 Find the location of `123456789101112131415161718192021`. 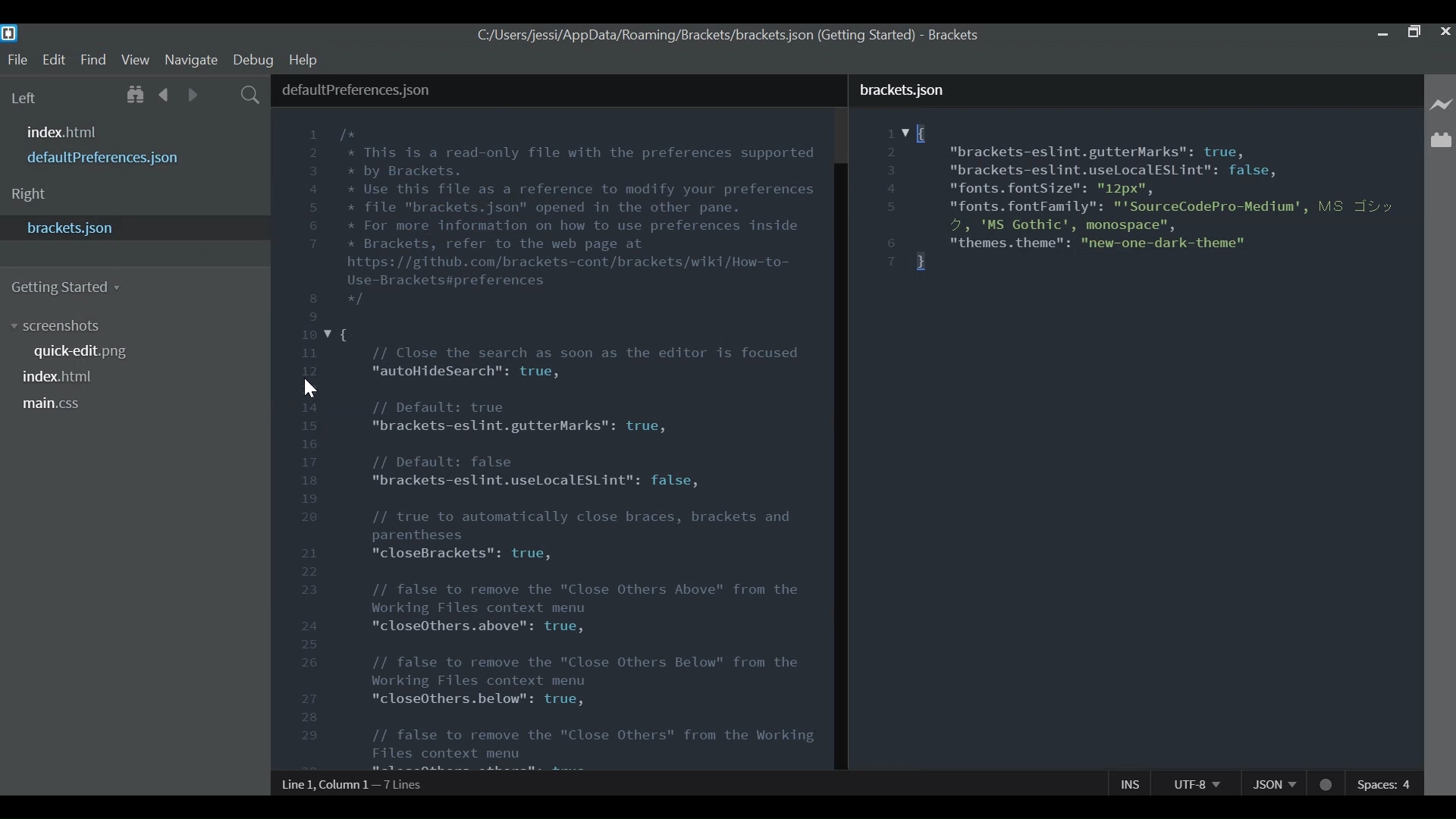

123456789101112131415161718192021 is located at coordinates (310, 448).